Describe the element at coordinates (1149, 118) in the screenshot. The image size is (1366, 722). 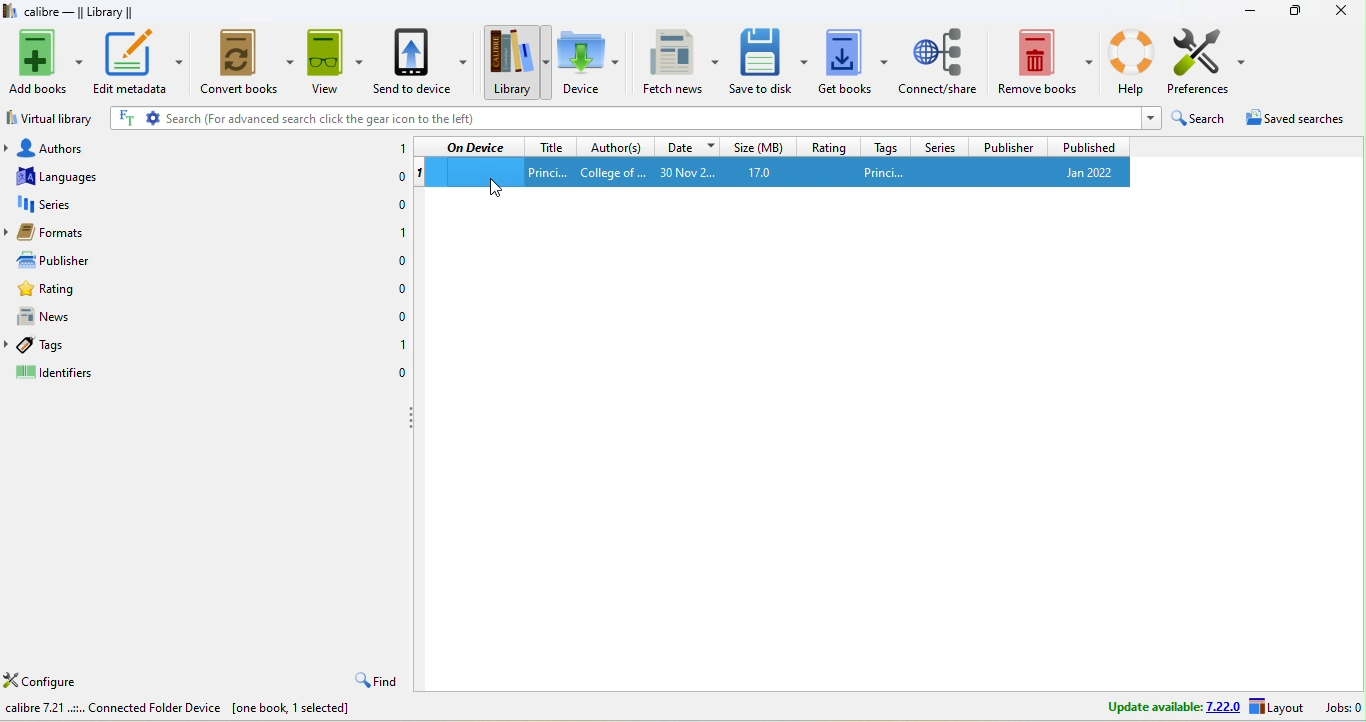
I see `dropdown` at that location.